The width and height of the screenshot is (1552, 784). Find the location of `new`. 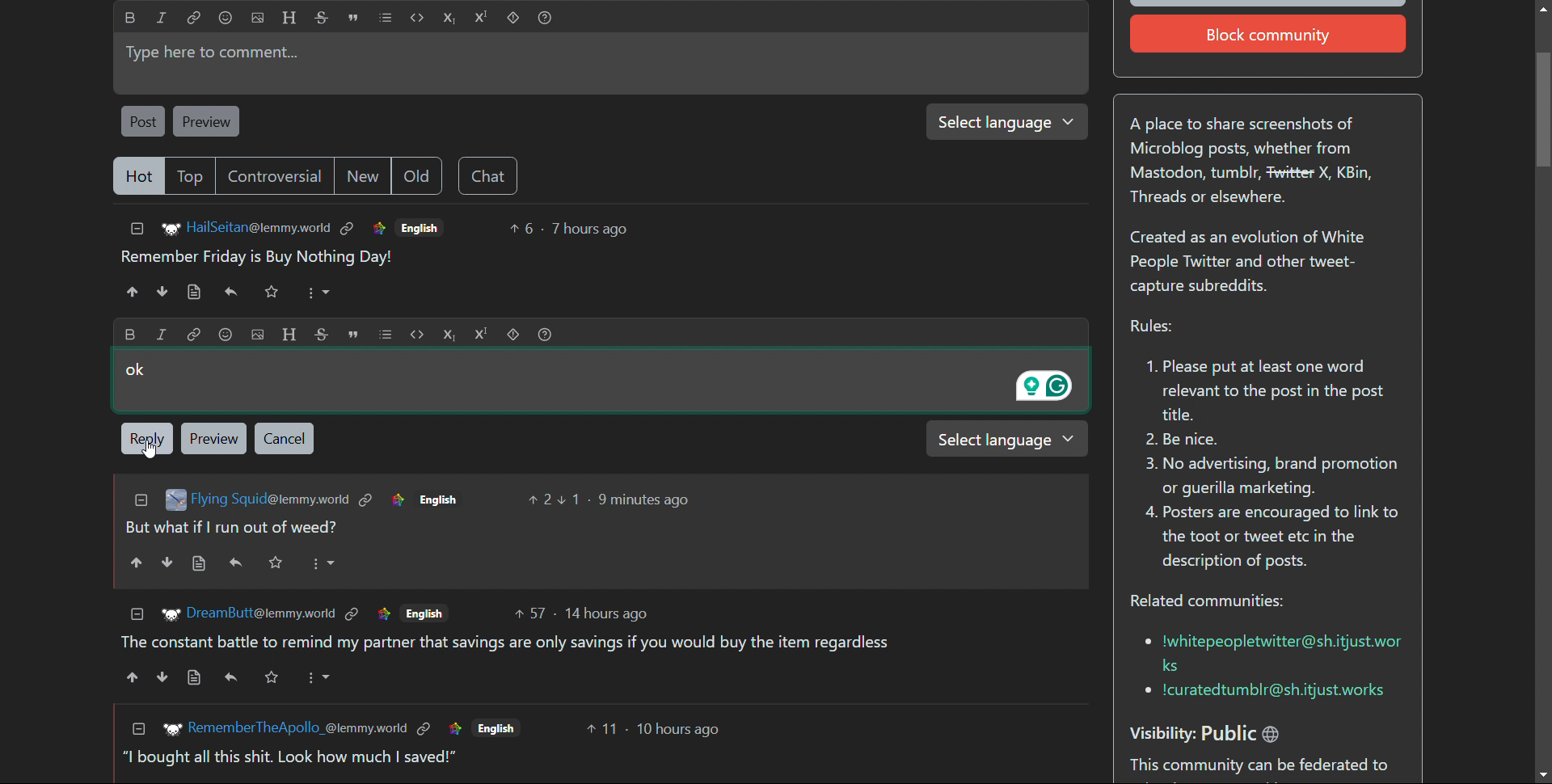

new is located at coordinates (363, 176).